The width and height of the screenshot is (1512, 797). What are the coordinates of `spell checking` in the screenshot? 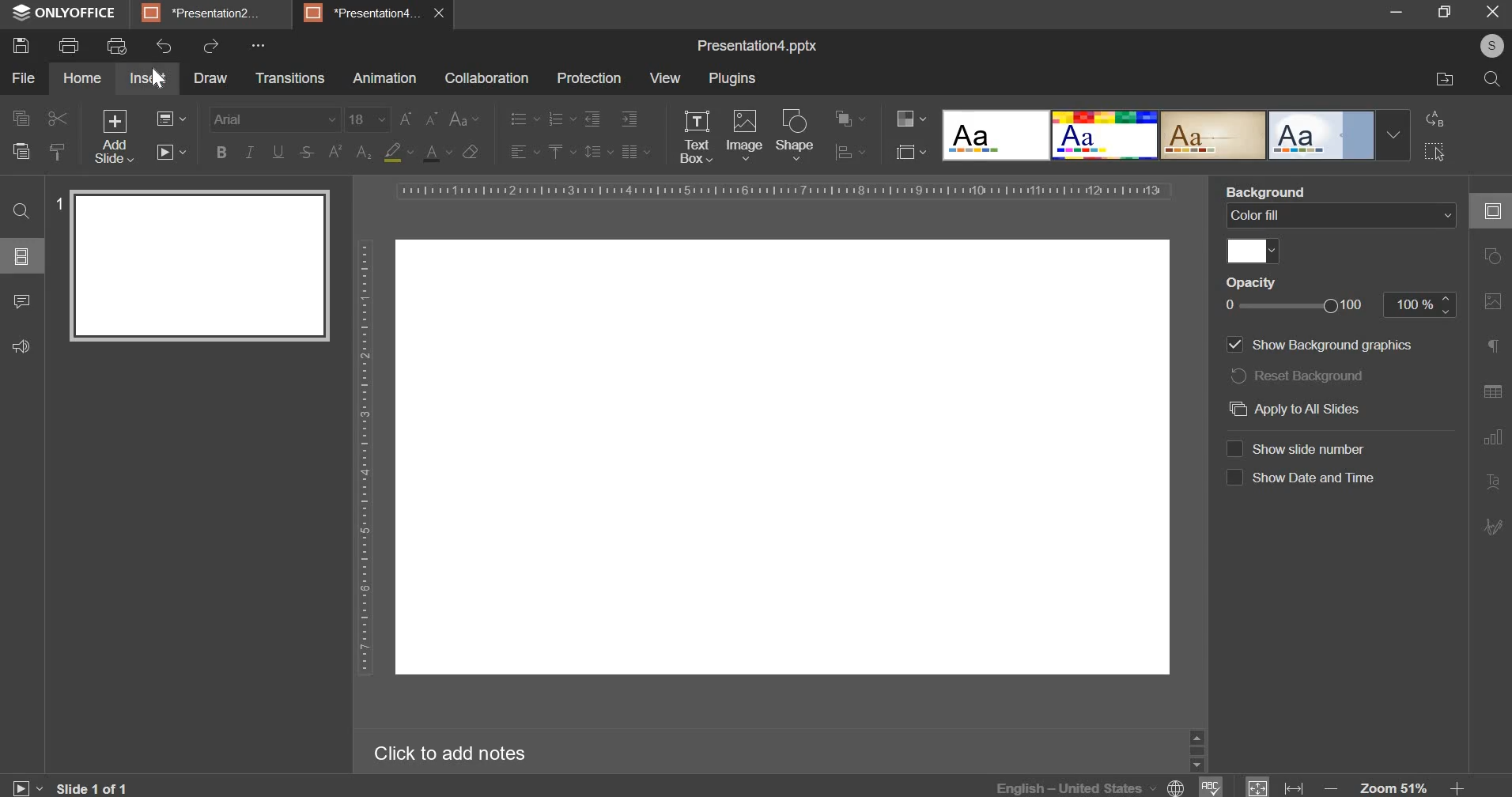 It's located at (1213, 786).